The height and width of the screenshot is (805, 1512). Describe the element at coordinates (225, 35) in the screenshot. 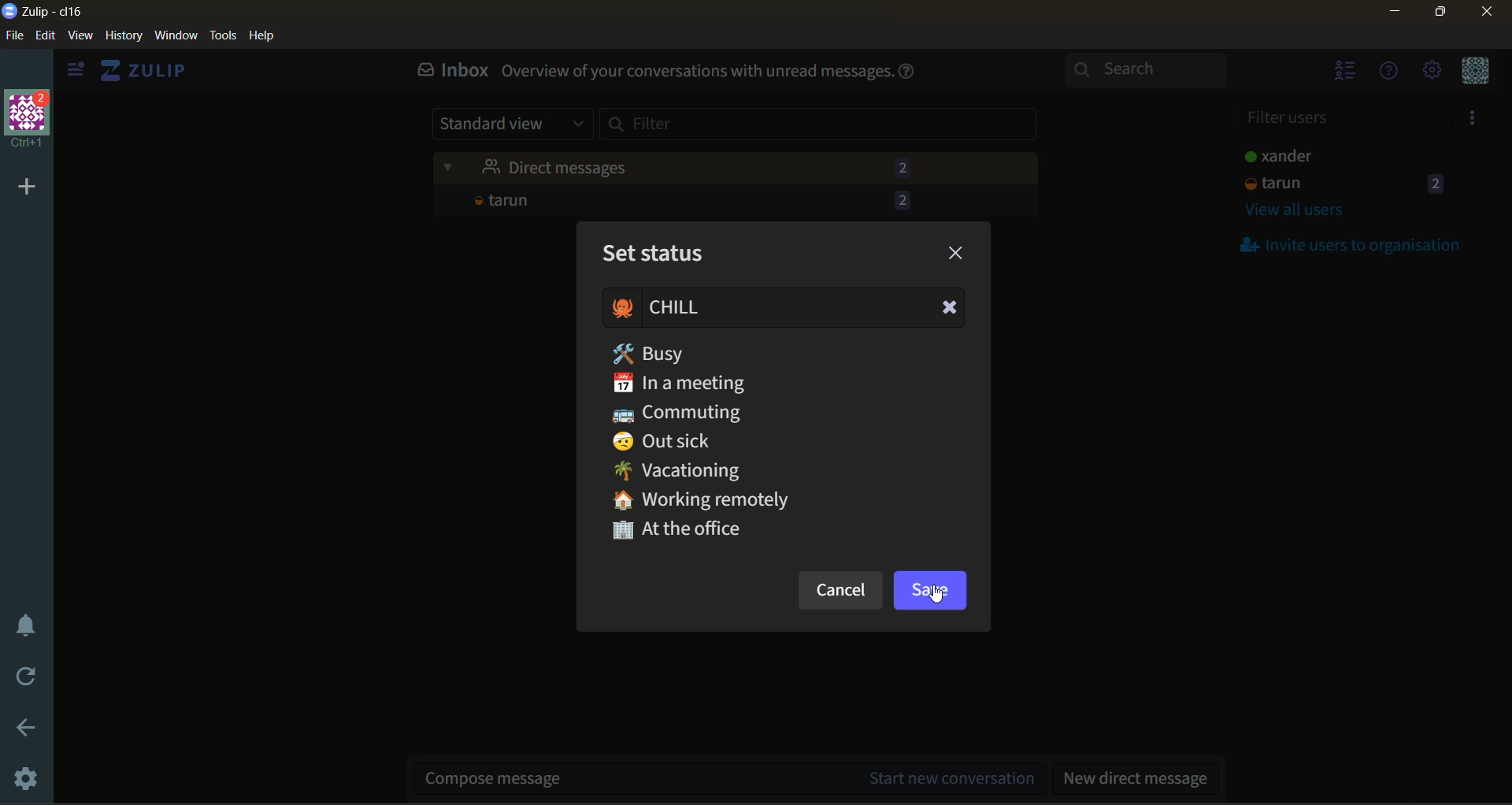

I see `tools` at that location.